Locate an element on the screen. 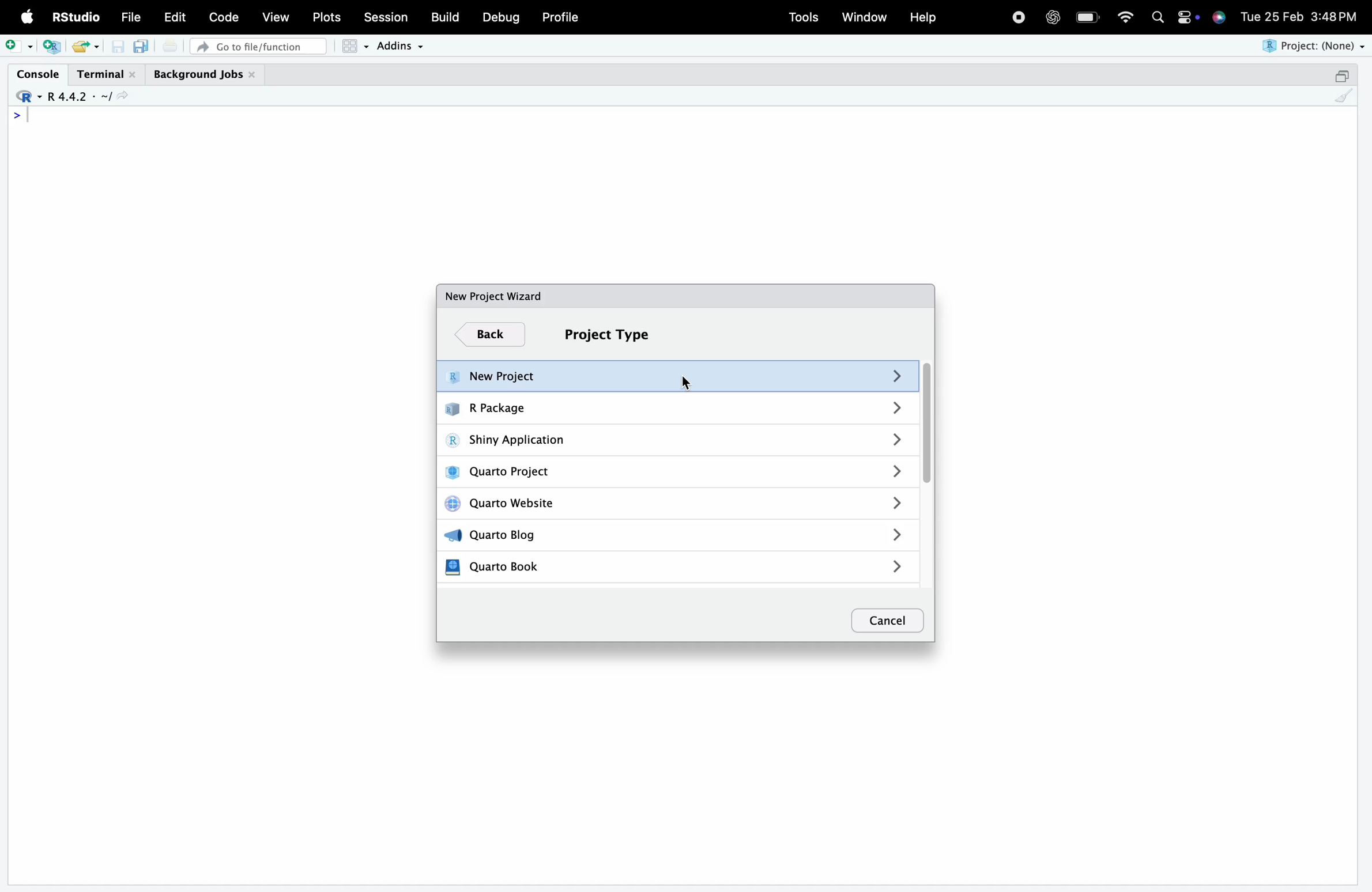 The height and width of the screenshot is (892, 1372). new file is located at coordinates (19, 46).